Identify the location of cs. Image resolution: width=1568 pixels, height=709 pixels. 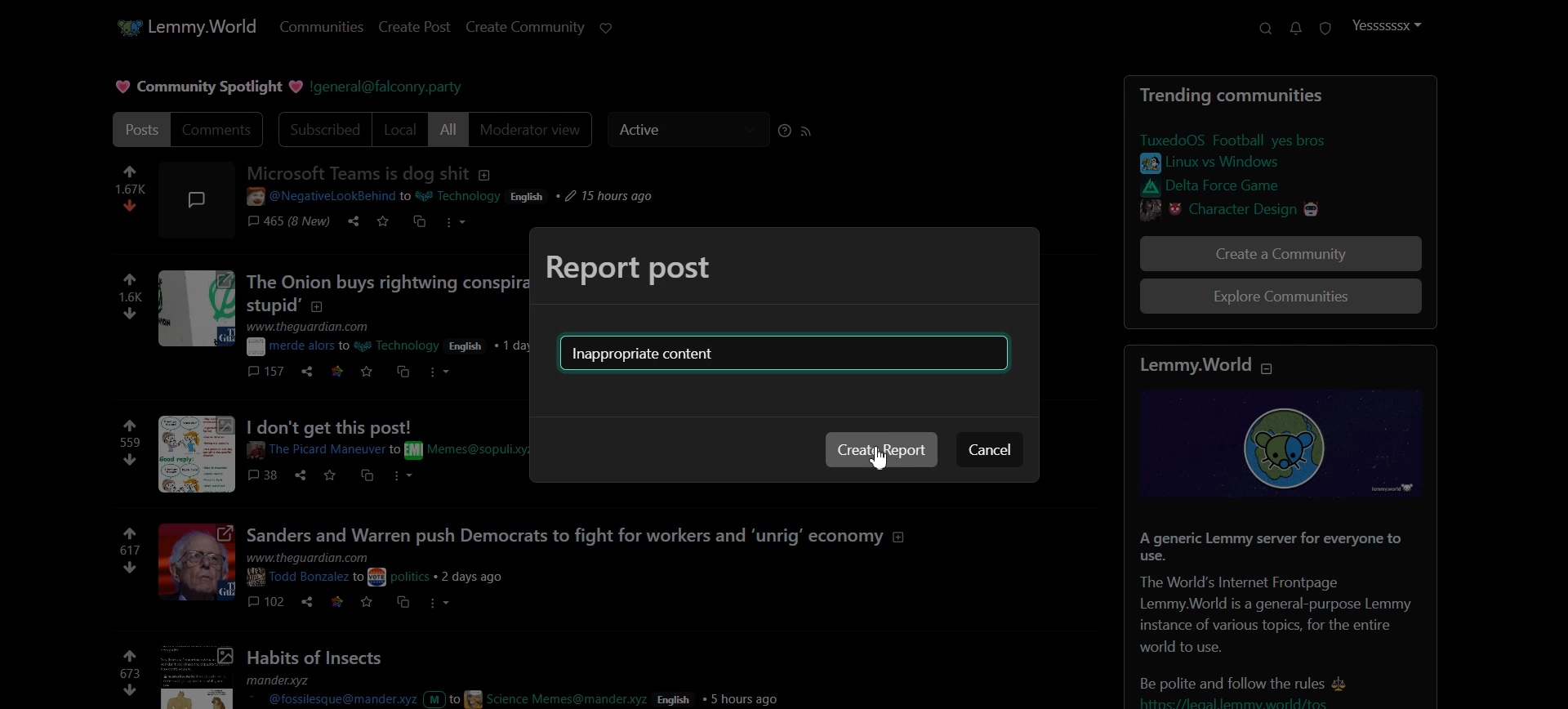
(402, 602).